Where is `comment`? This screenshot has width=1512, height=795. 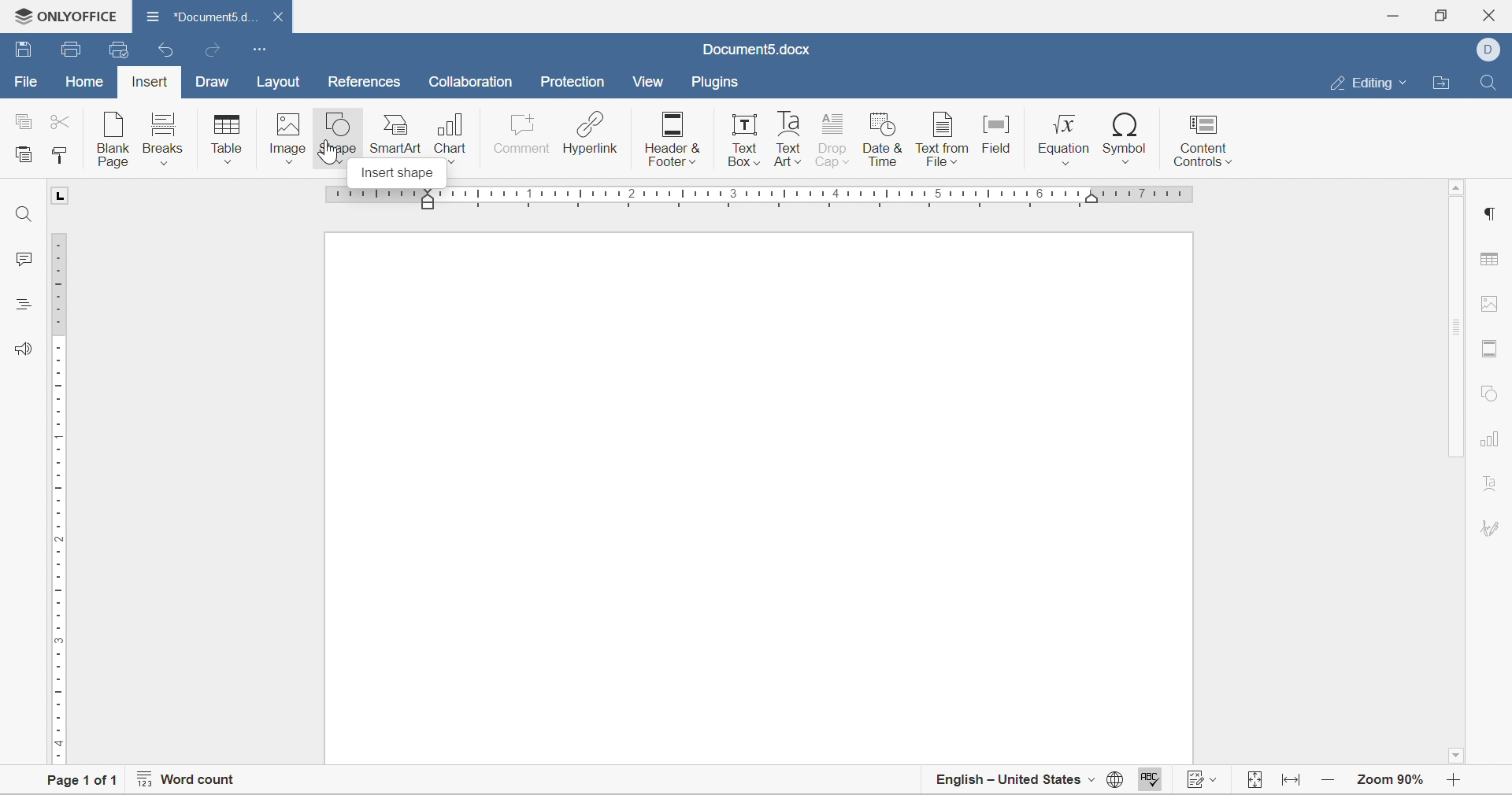 comment is located at coordinates (523, 131).